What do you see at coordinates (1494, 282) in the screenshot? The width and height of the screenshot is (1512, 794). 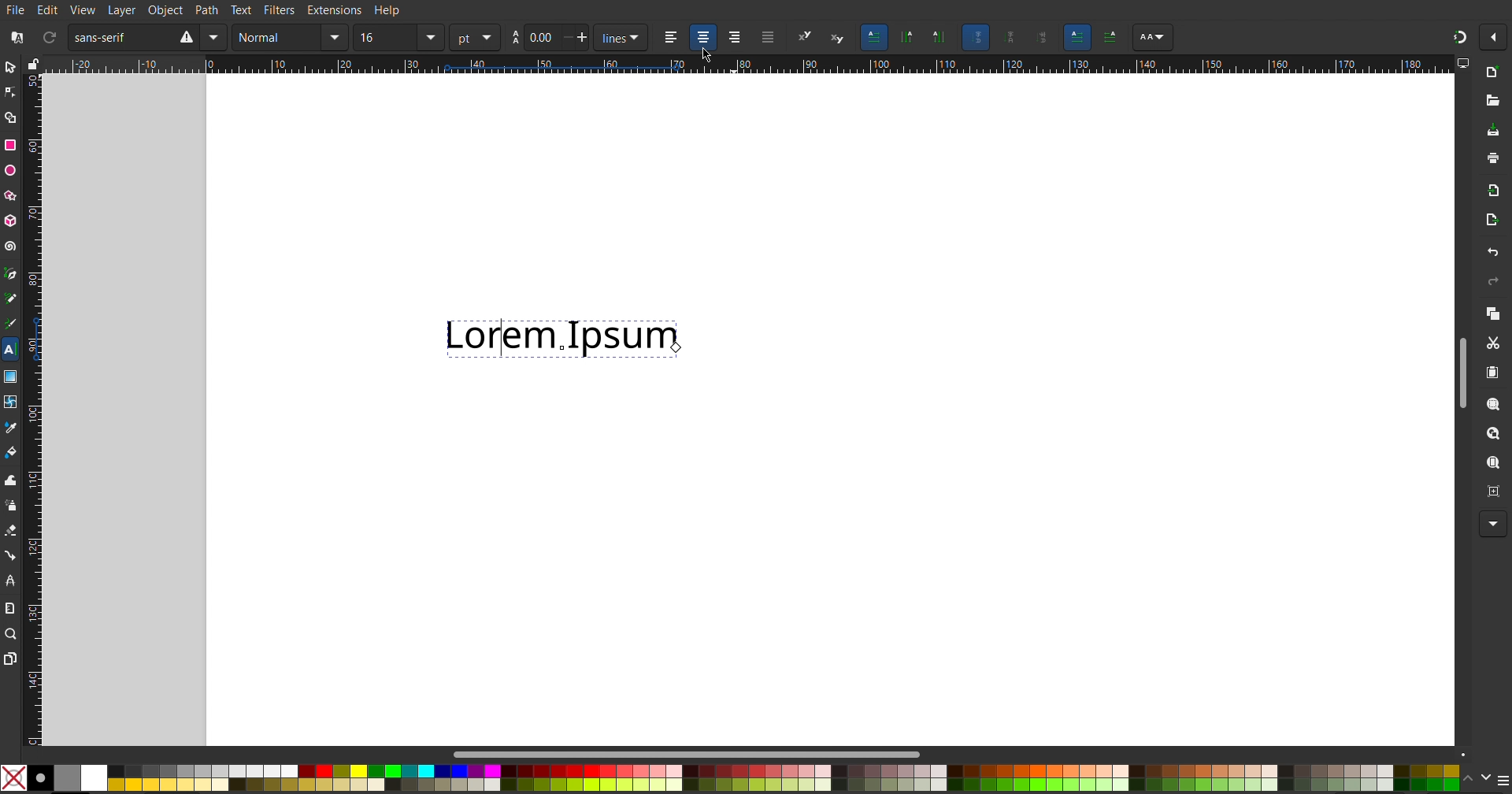 I see `Redo` at bounding box center [1494, 282].